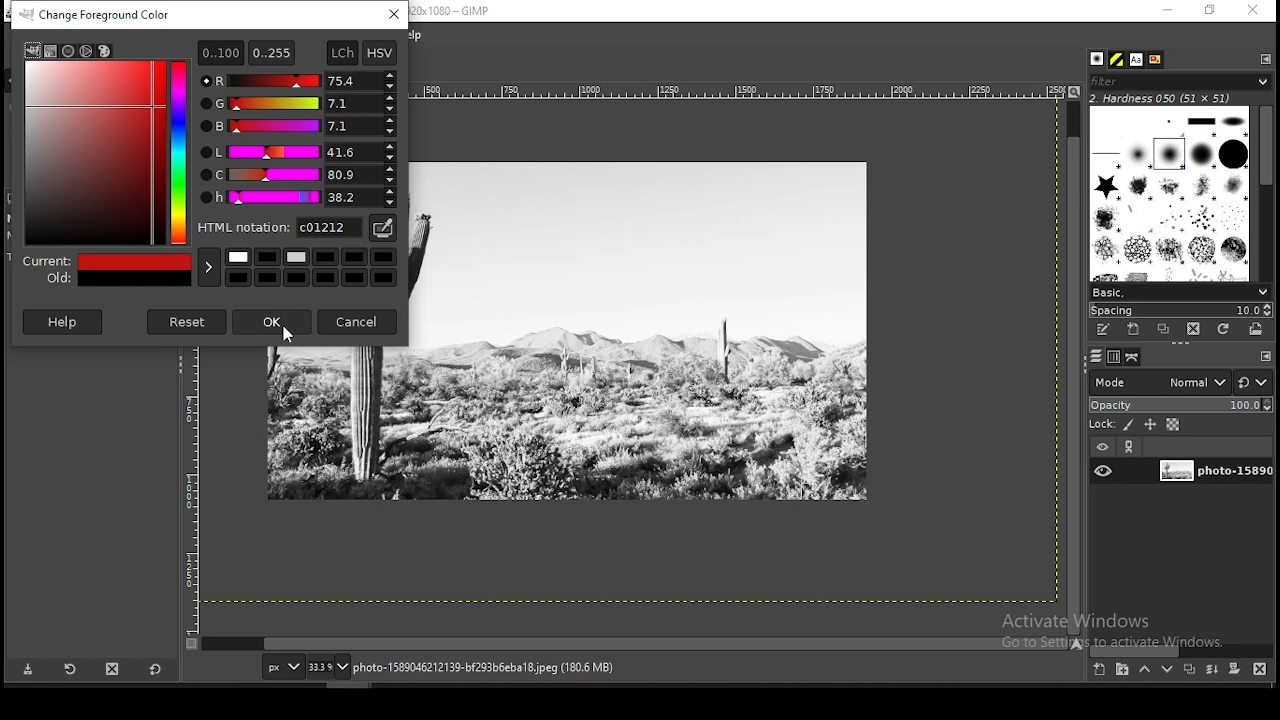 Image resolution: width=1280 pixels, height=720 pixels. What do you see at coordinates (1252, 383) in the screenshot?
I see `switch to other modes` at bounding box center [1252, 383].